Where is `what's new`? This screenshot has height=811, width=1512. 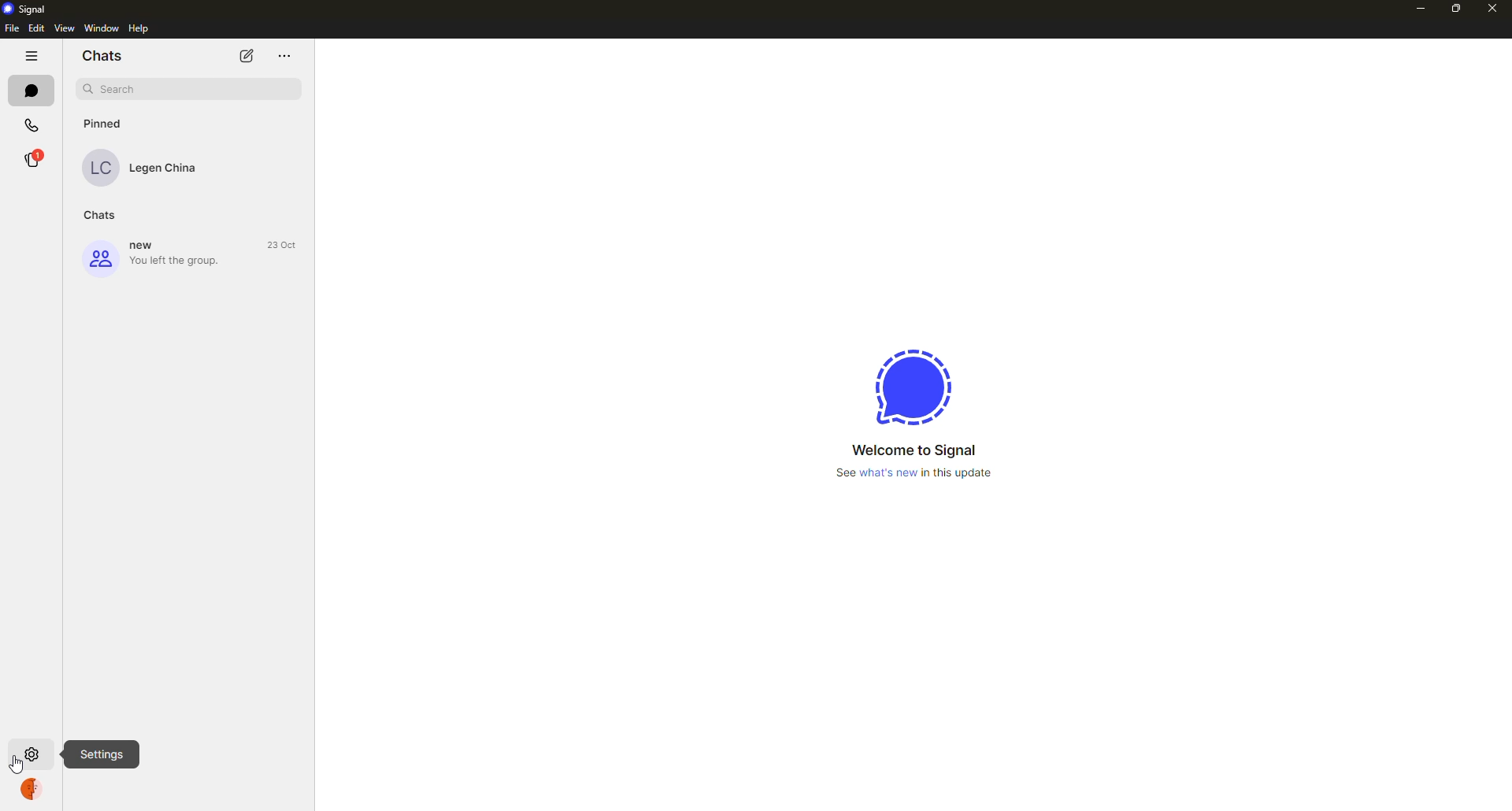 what's new is located at coordinates (888, 472).